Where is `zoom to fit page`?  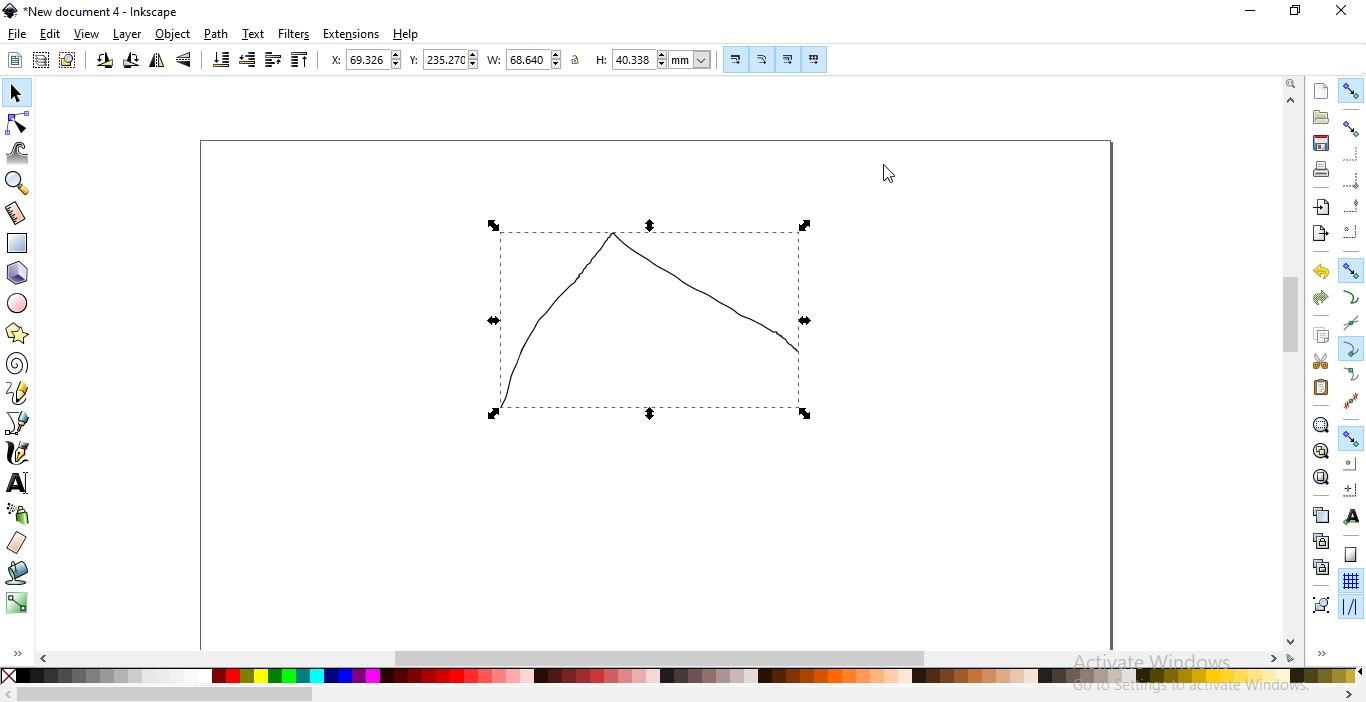
zoom to fit page is located at coordinates (1320, 477).